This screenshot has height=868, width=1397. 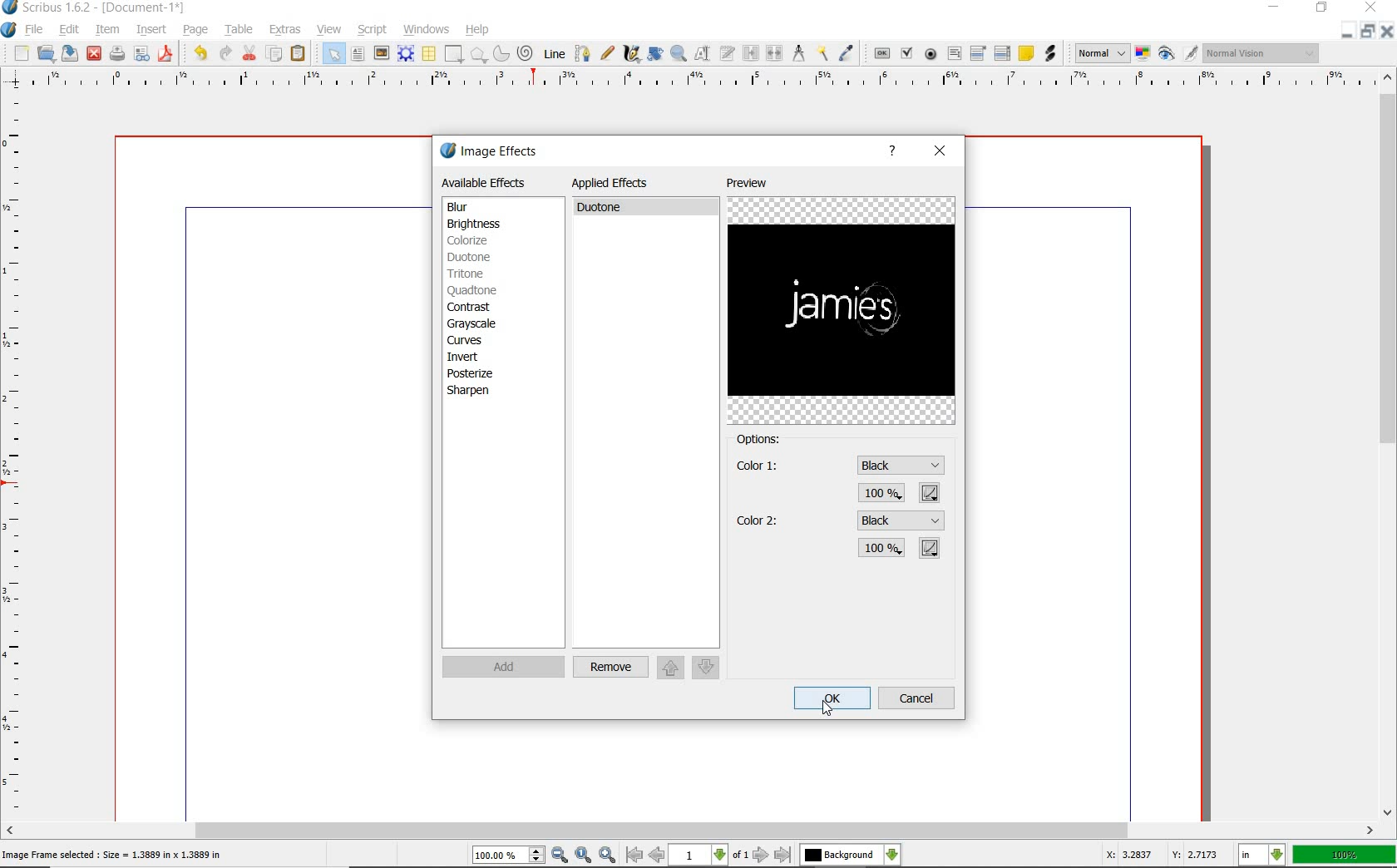 I want to click on edit contents of frame, so click(x=702, y=53).